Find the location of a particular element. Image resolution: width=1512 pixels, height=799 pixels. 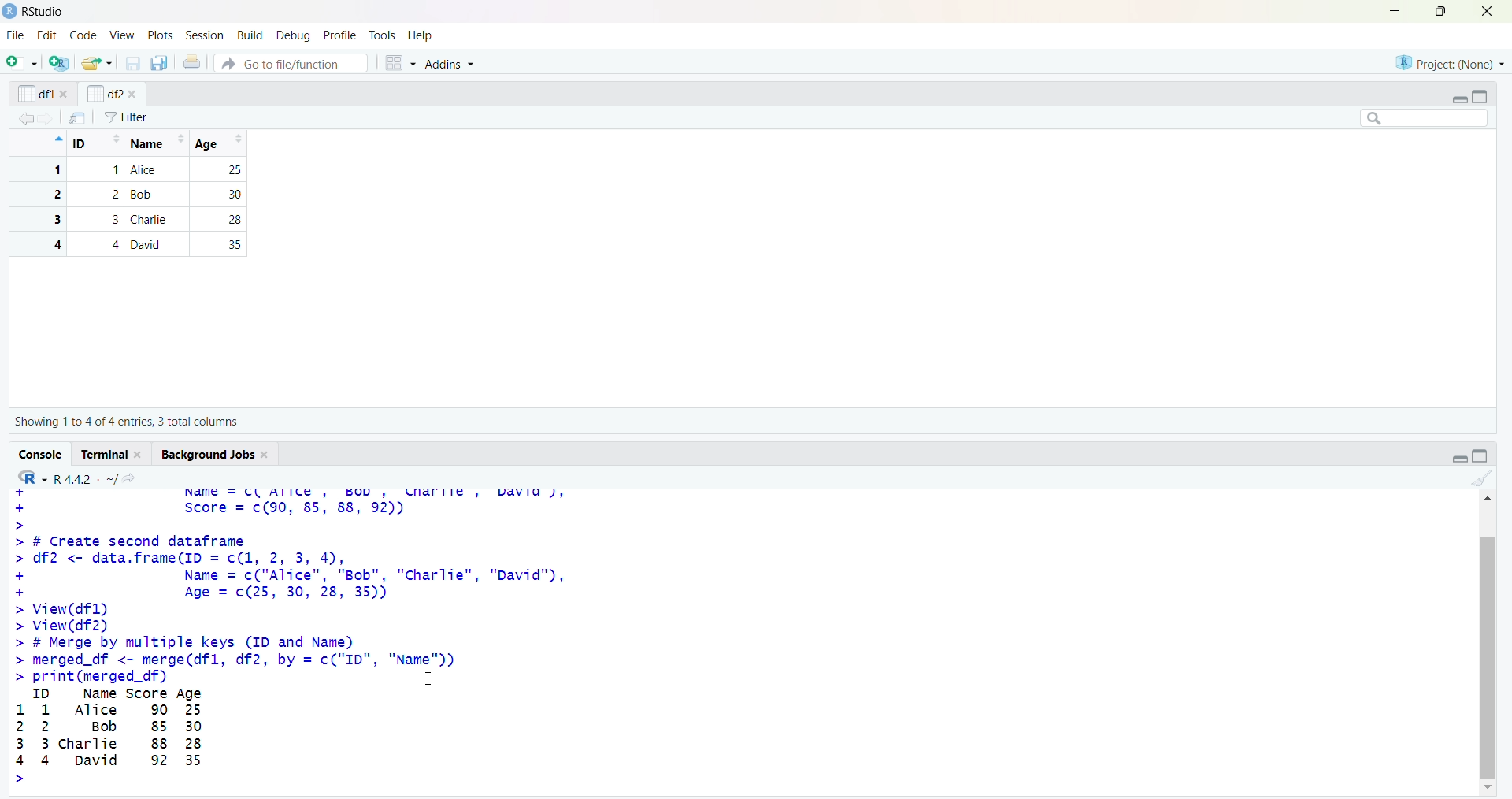

send is located at coordinates (78, 117).